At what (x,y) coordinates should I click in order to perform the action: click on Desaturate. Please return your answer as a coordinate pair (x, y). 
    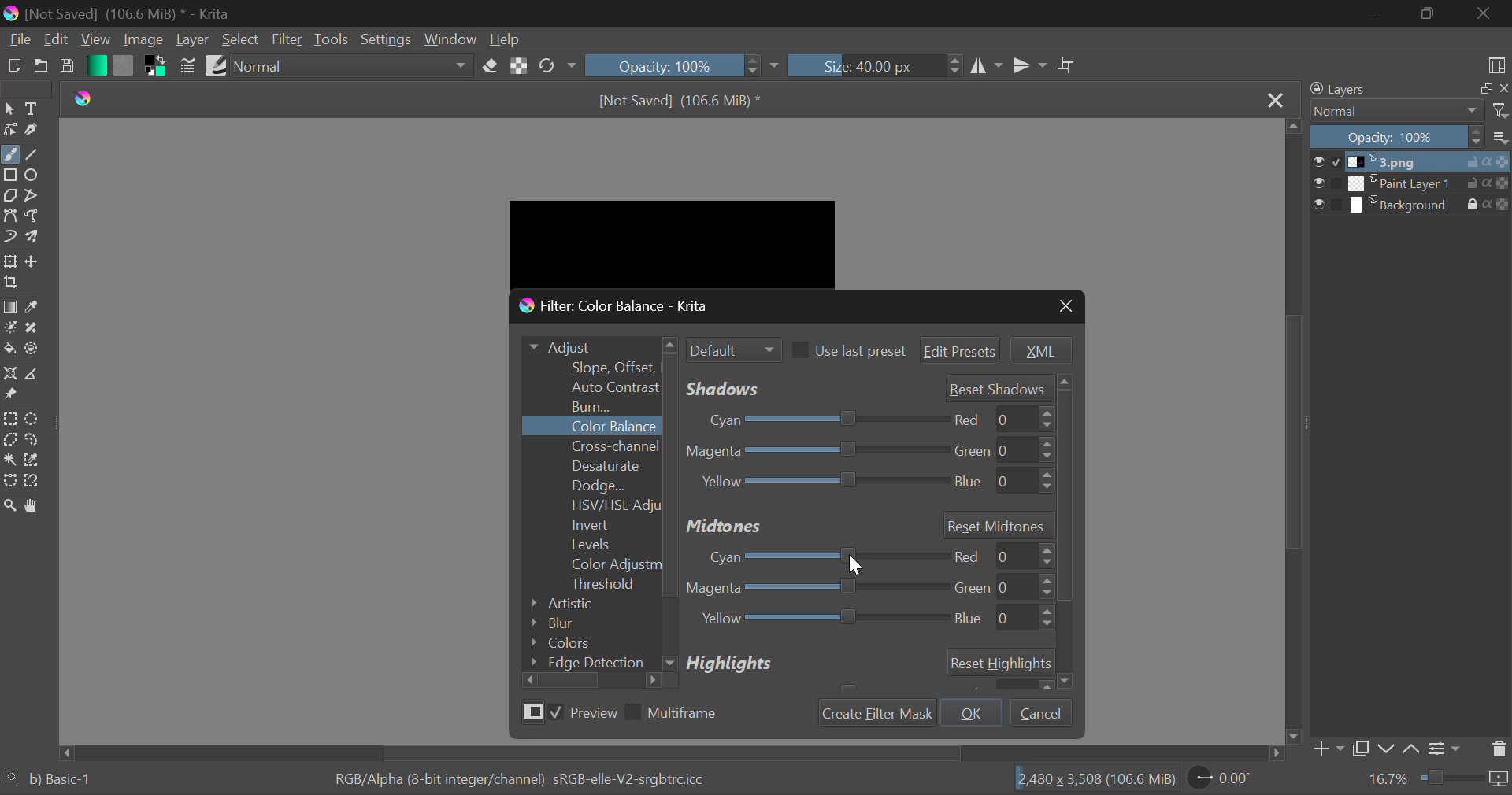
    Looking at the image, I should click on (590, 466).